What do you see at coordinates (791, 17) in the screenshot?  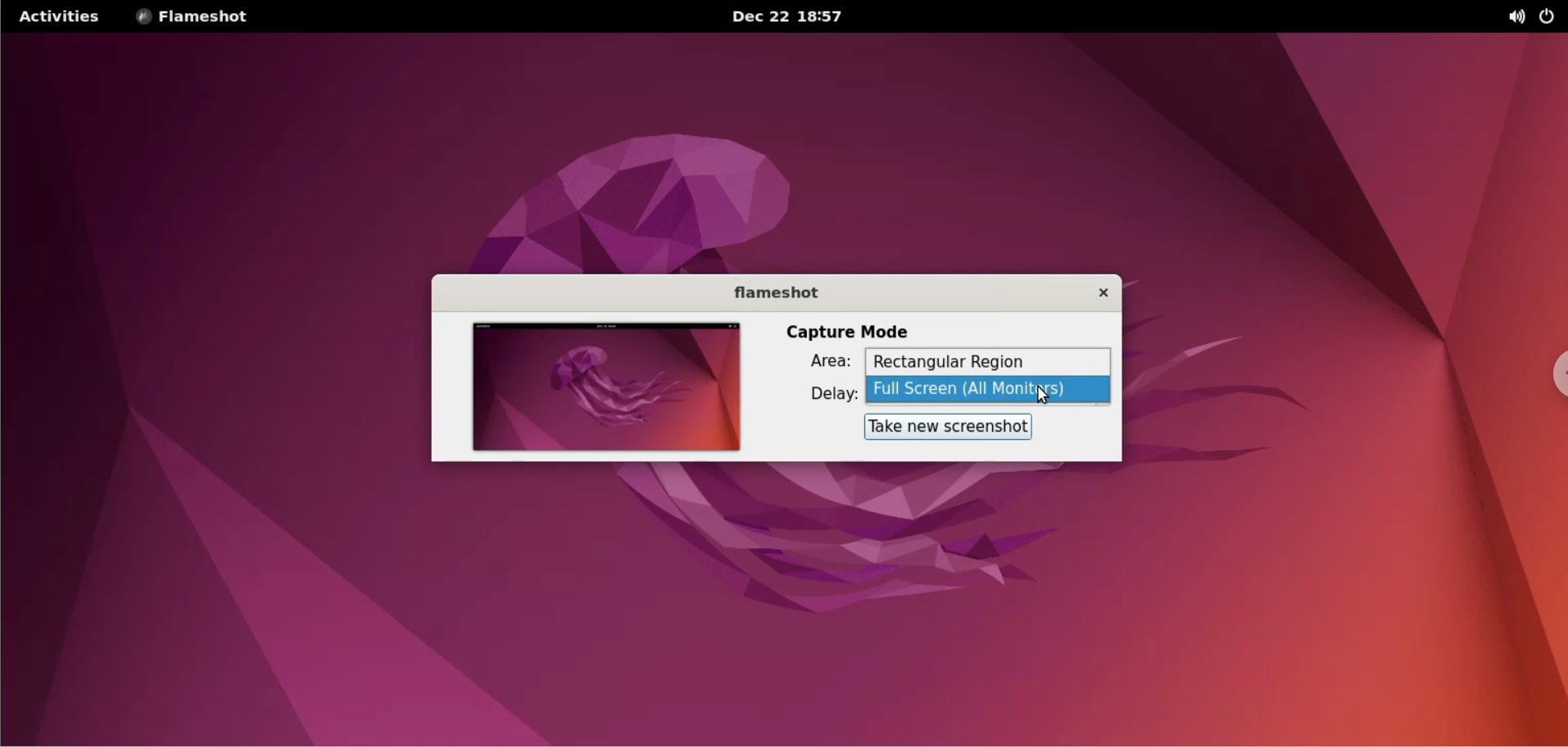 I see `Dec 22 18:57` at bounding box center [791, 17].